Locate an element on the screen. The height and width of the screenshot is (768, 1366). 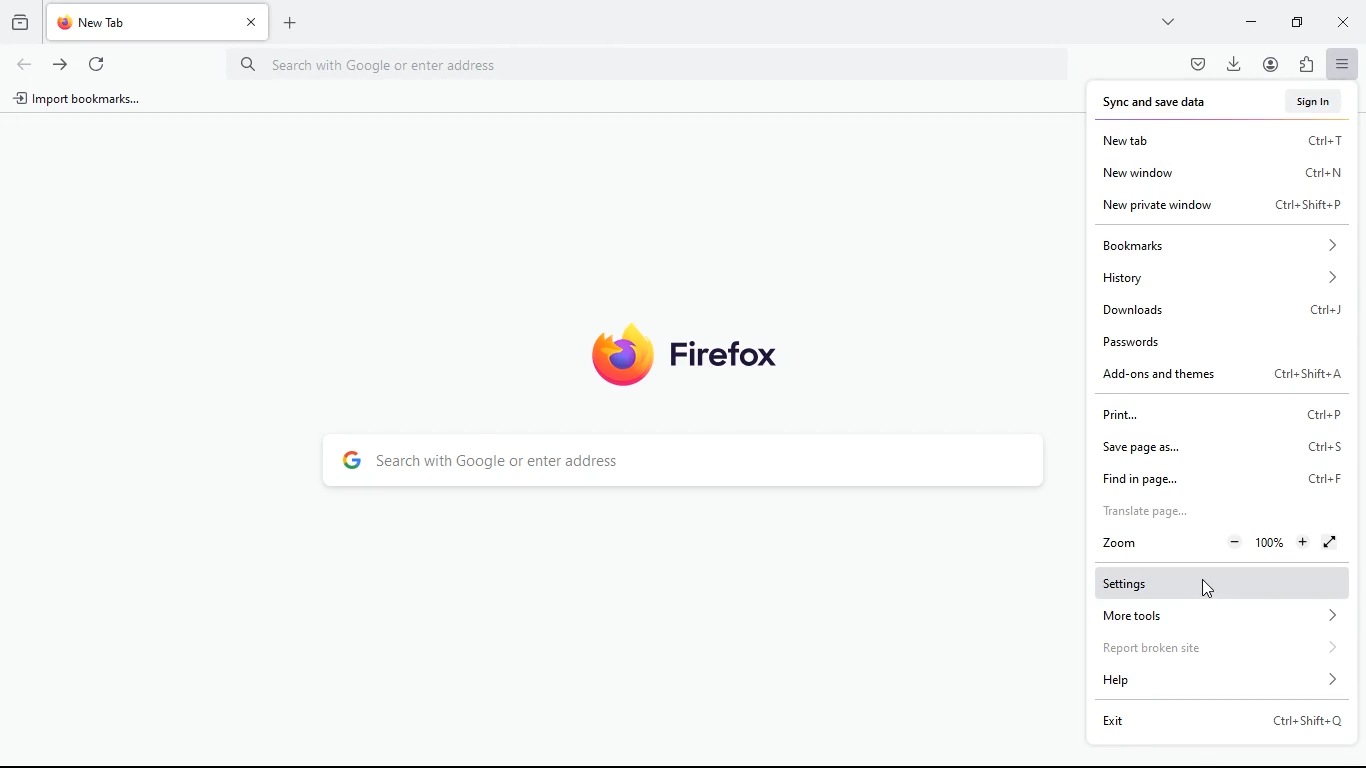
more tools is located at coordinates (1221, 616).